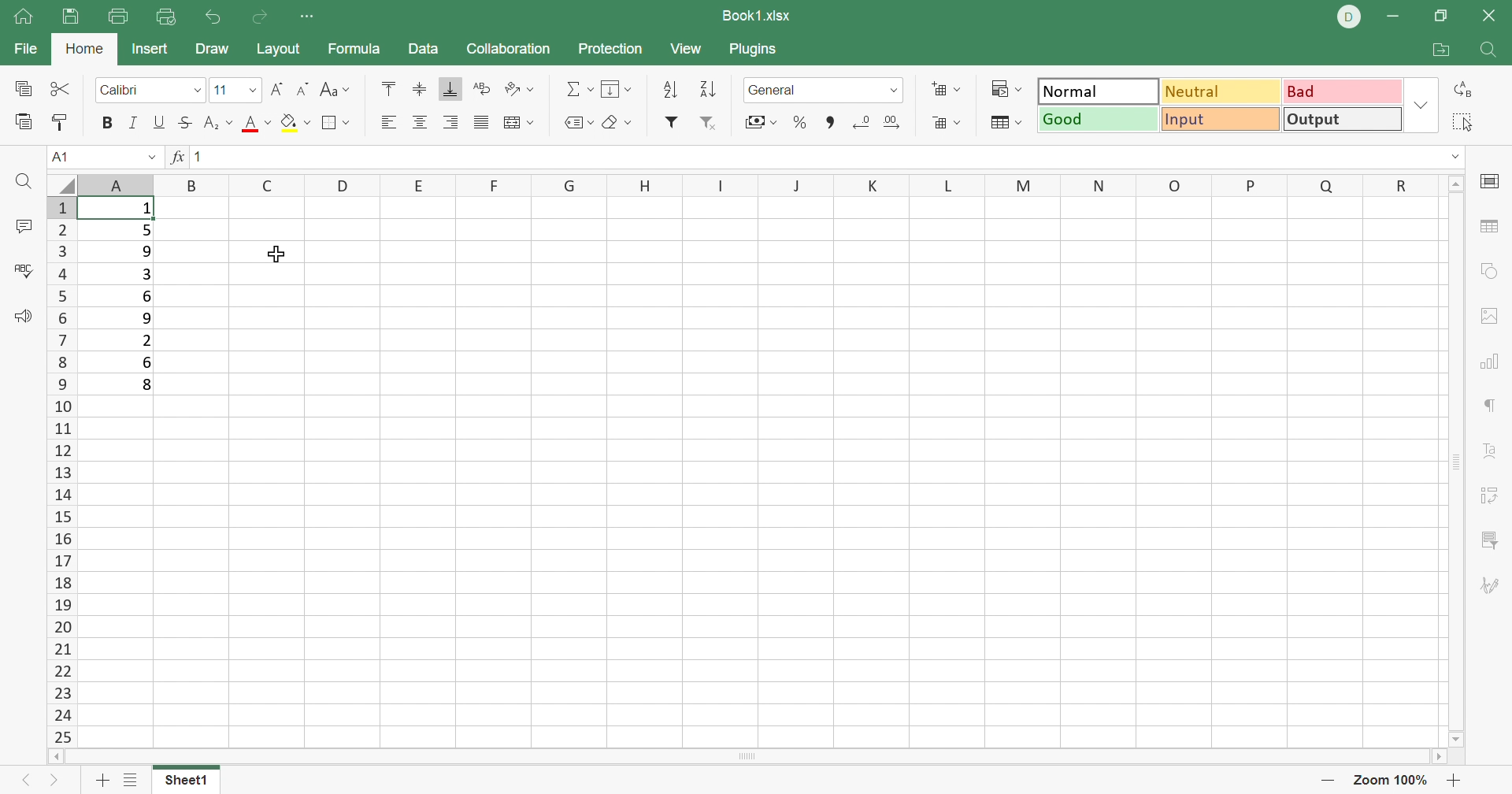 The width and height of the screenshot is (1512, 794). Describe the element at coordinates (149, 362) in the screenshot. I see `6` at that location.